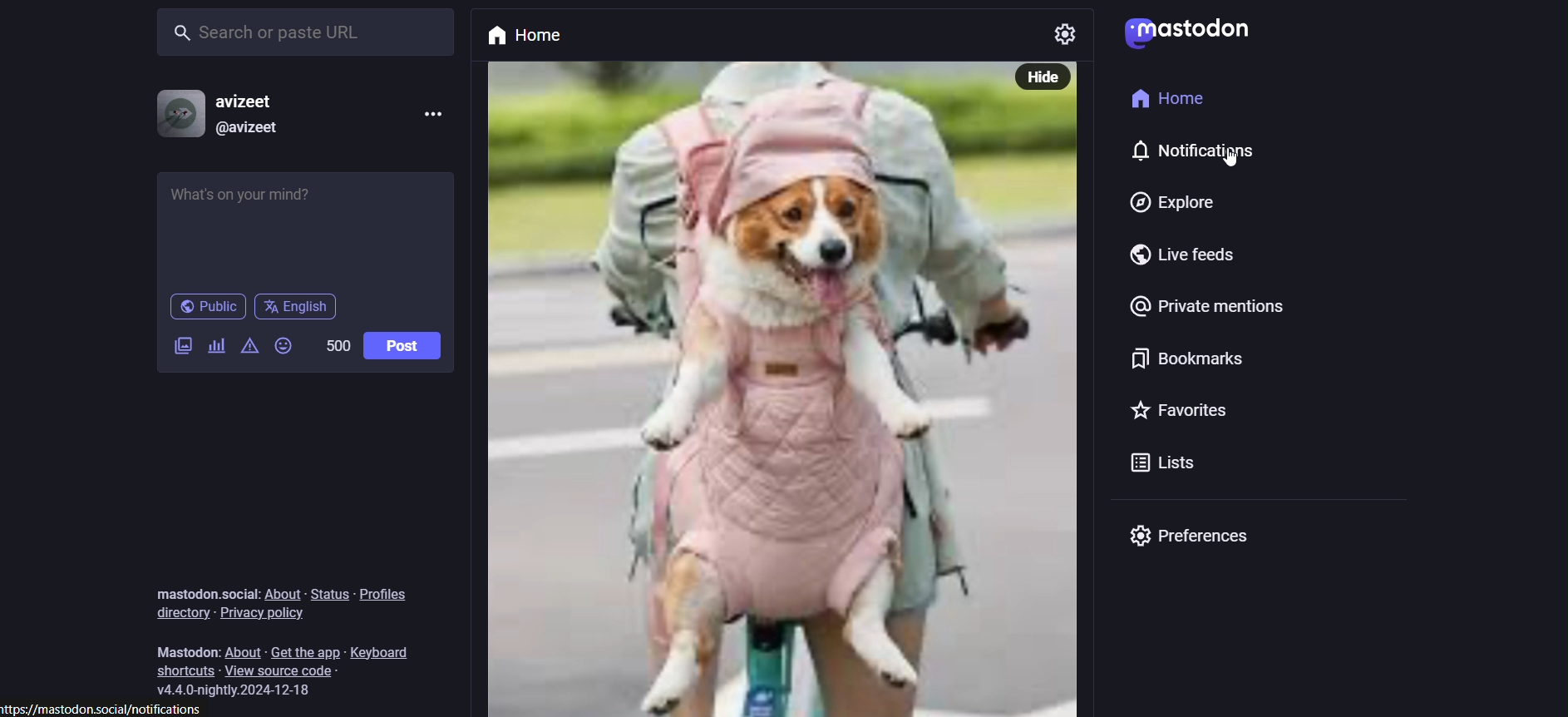  What do you see at coordinates (1159, 462) in the screenshot?
I see `lists` at bounding box center [1159, 462].